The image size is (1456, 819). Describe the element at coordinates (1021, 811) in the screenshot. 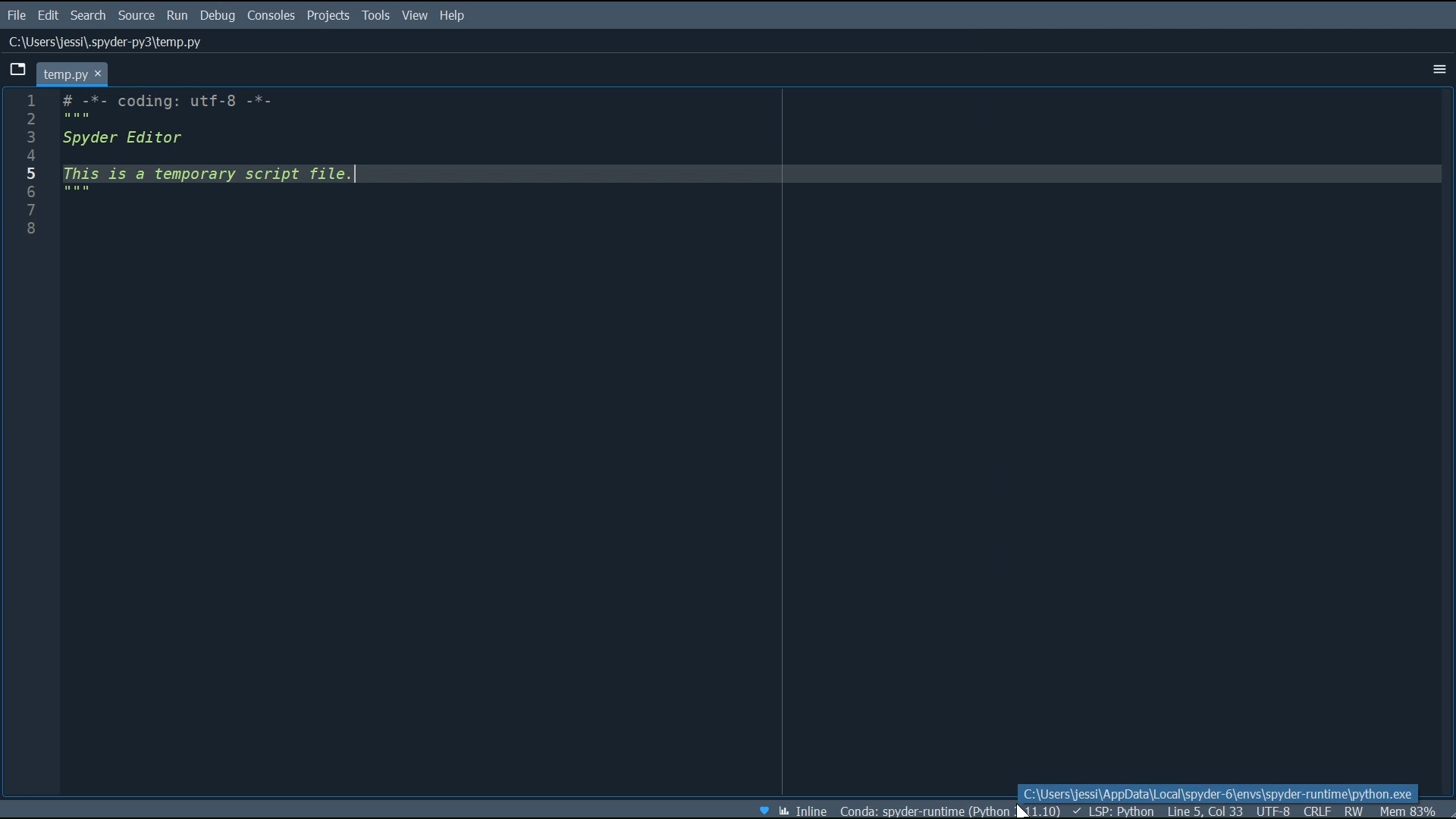

I see `Cursor` at that location.